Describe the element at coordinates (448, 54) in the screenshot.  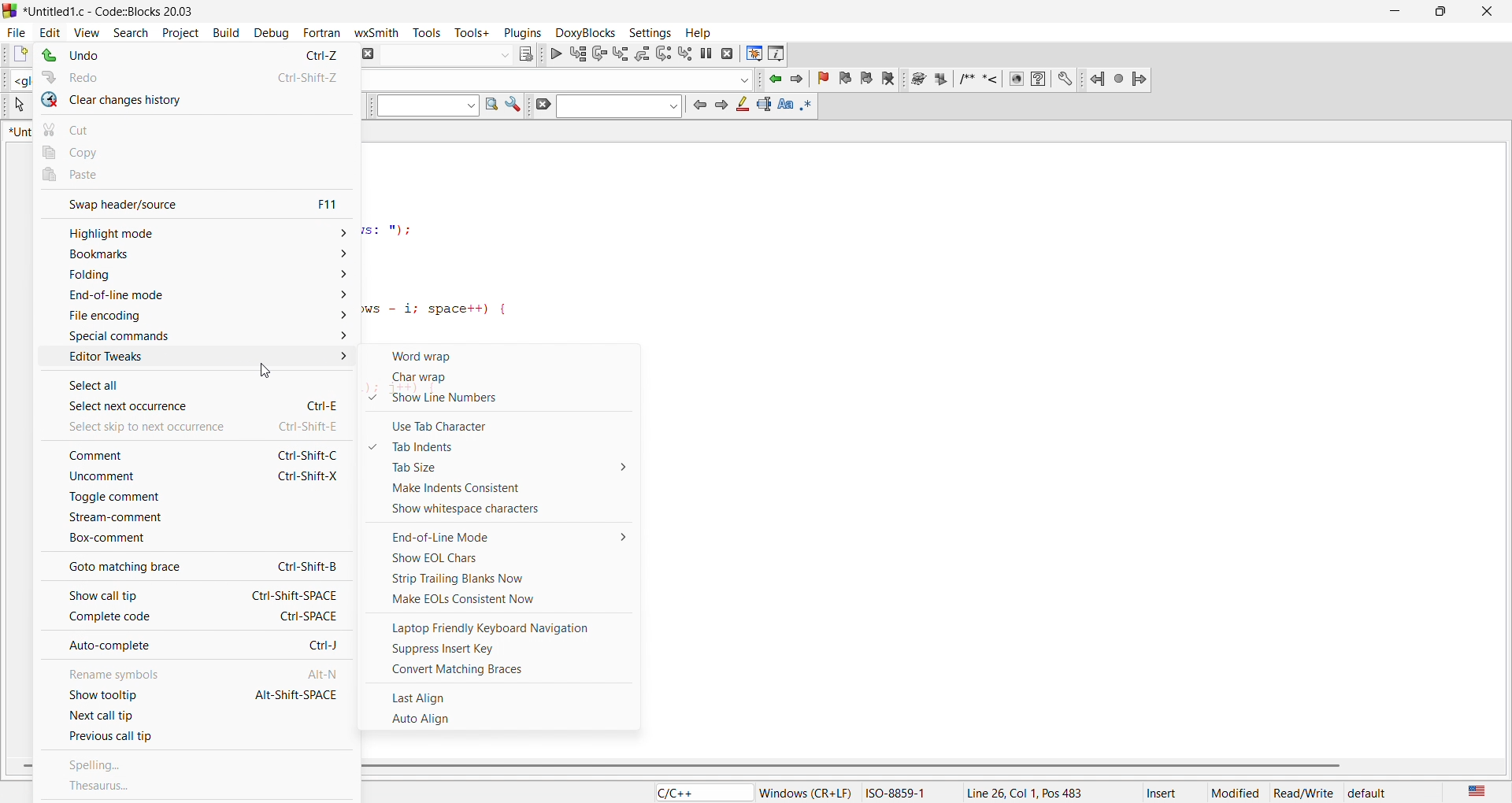
I see `input box` at that location.